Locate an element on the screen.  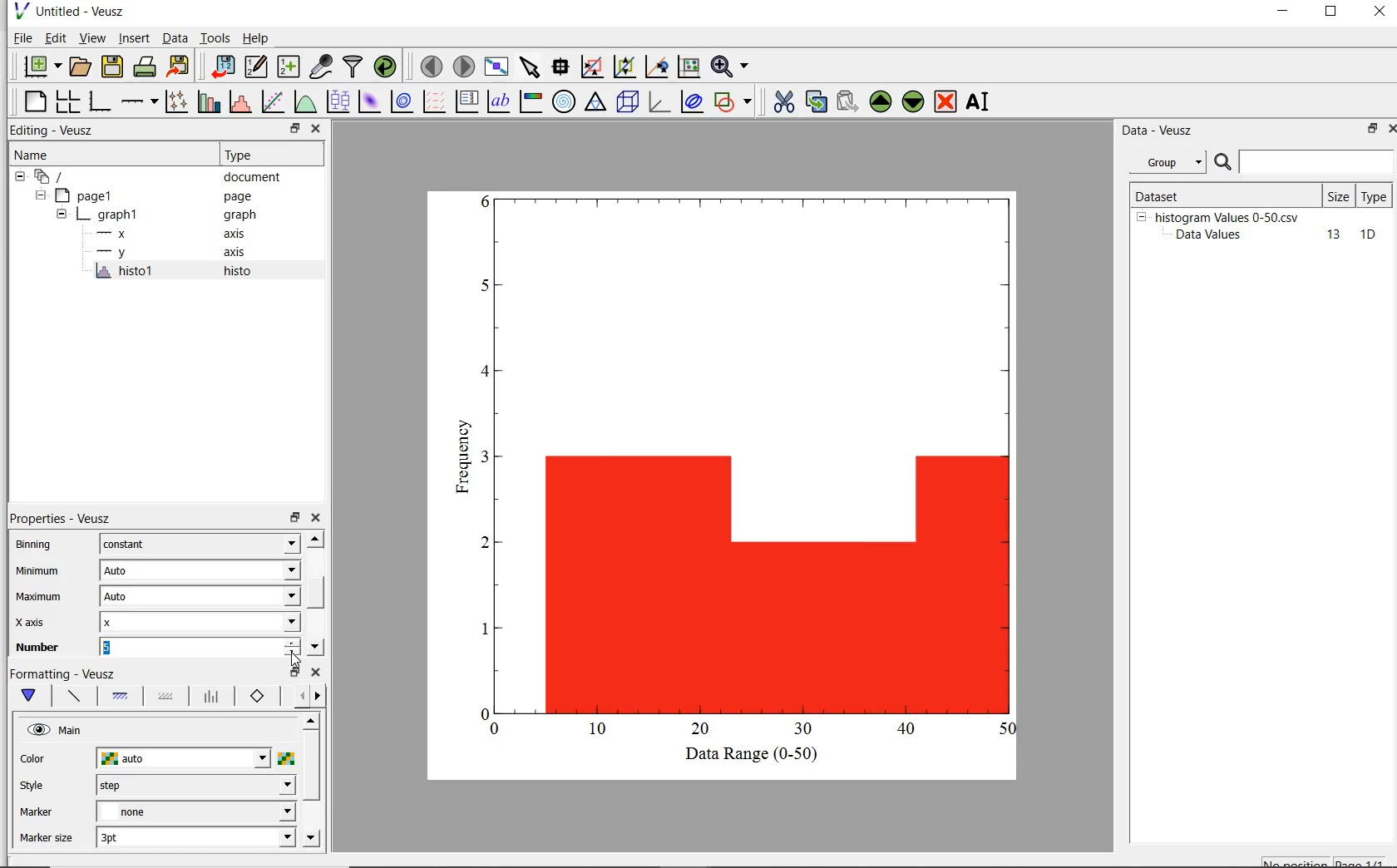
hide is located at coordinates (62, 215).